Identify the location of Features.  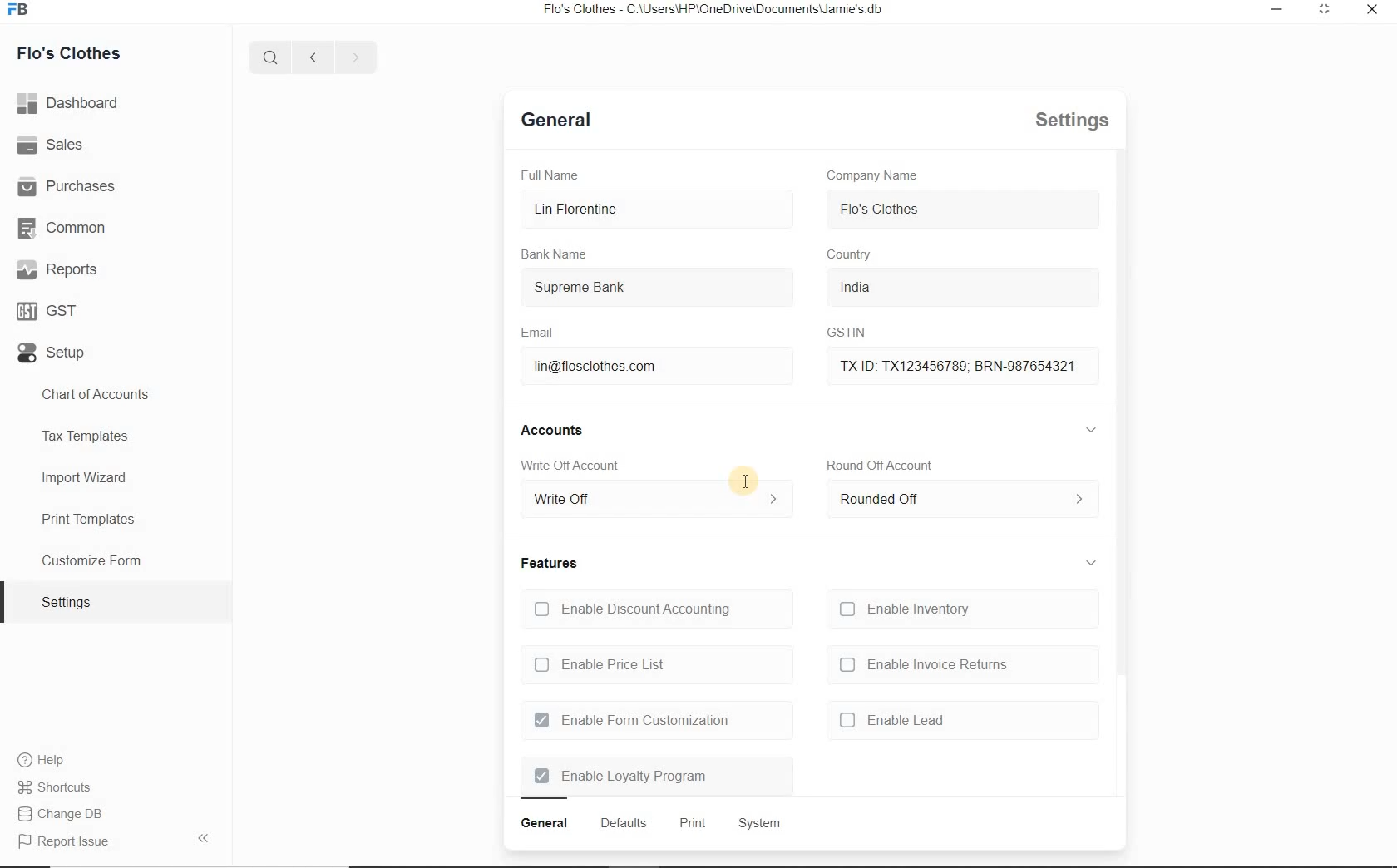
(552, 562).